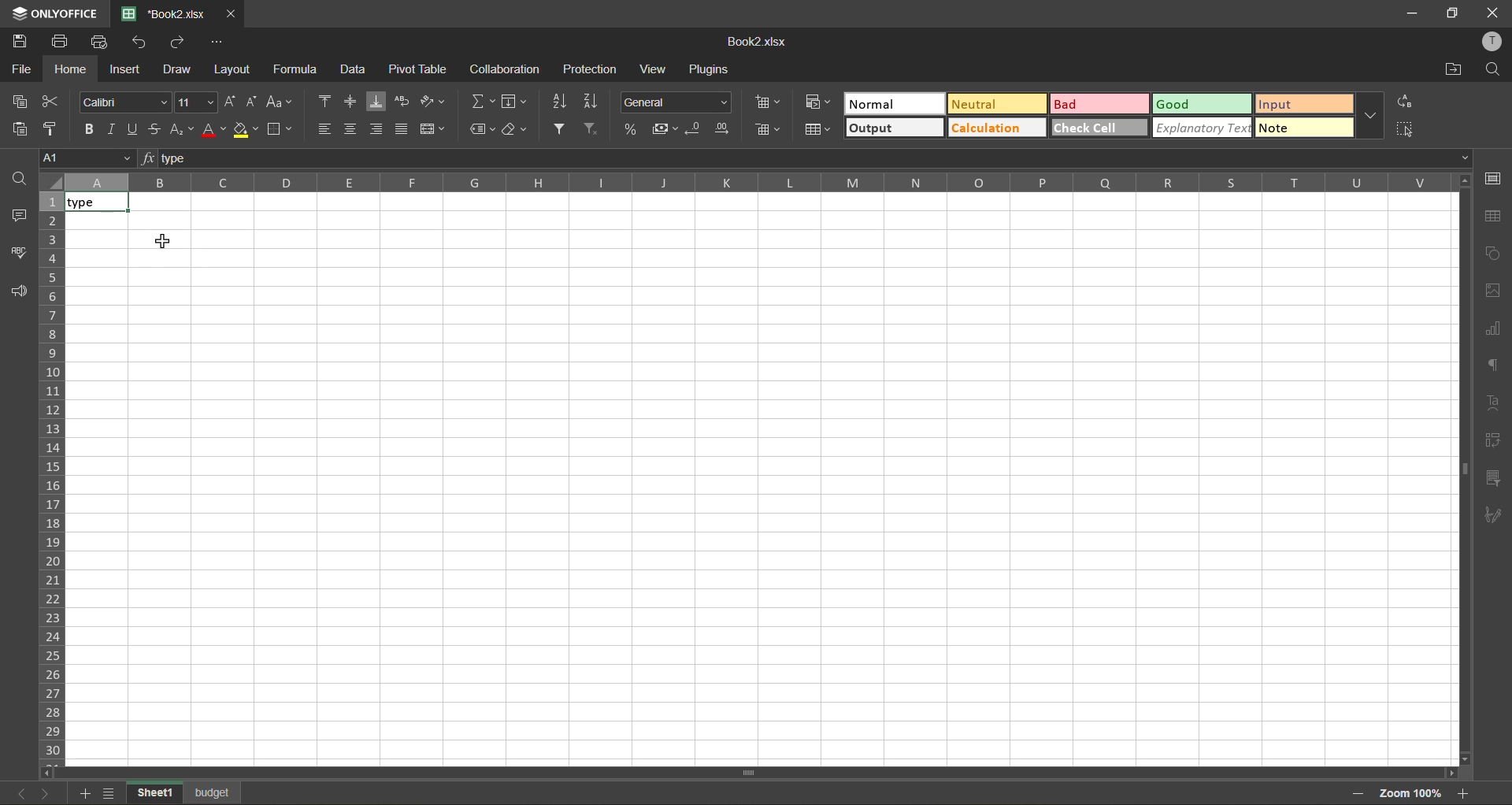 The height and width of the screenshot is (805, 1512). What do you see at coordinates (1358, 795) in the screenshot?
I see `zoom out` at bounding box center [1358, 795].